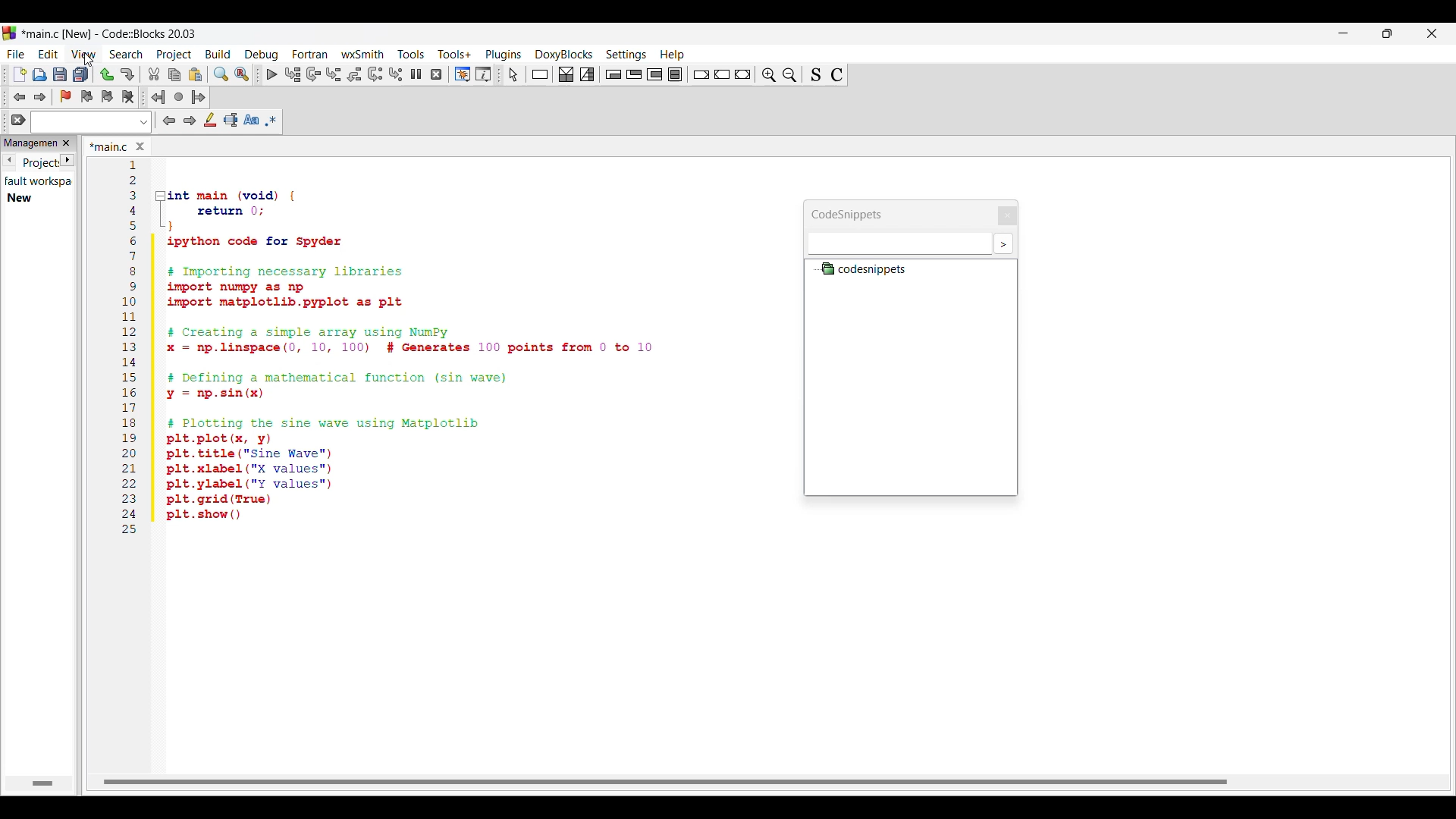 This screenshot has height=819, width=1456. Describe the element at coordinates (49, 55) in the screenshot. I see `Edit menu` at that location.